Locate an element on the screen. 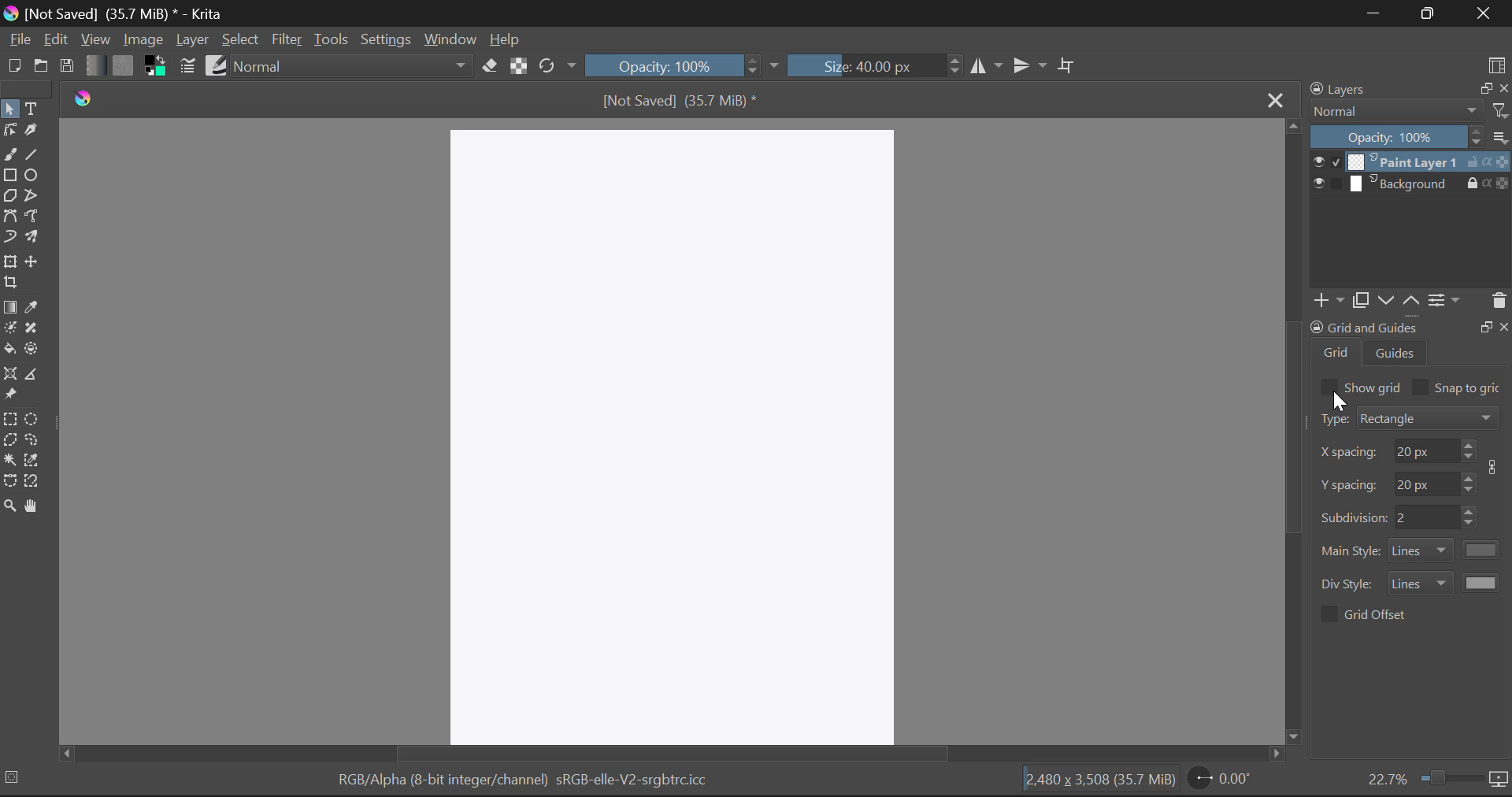 The height and width of the screenshot is (797, 1512). Tools is located at coordinates (330, 39).